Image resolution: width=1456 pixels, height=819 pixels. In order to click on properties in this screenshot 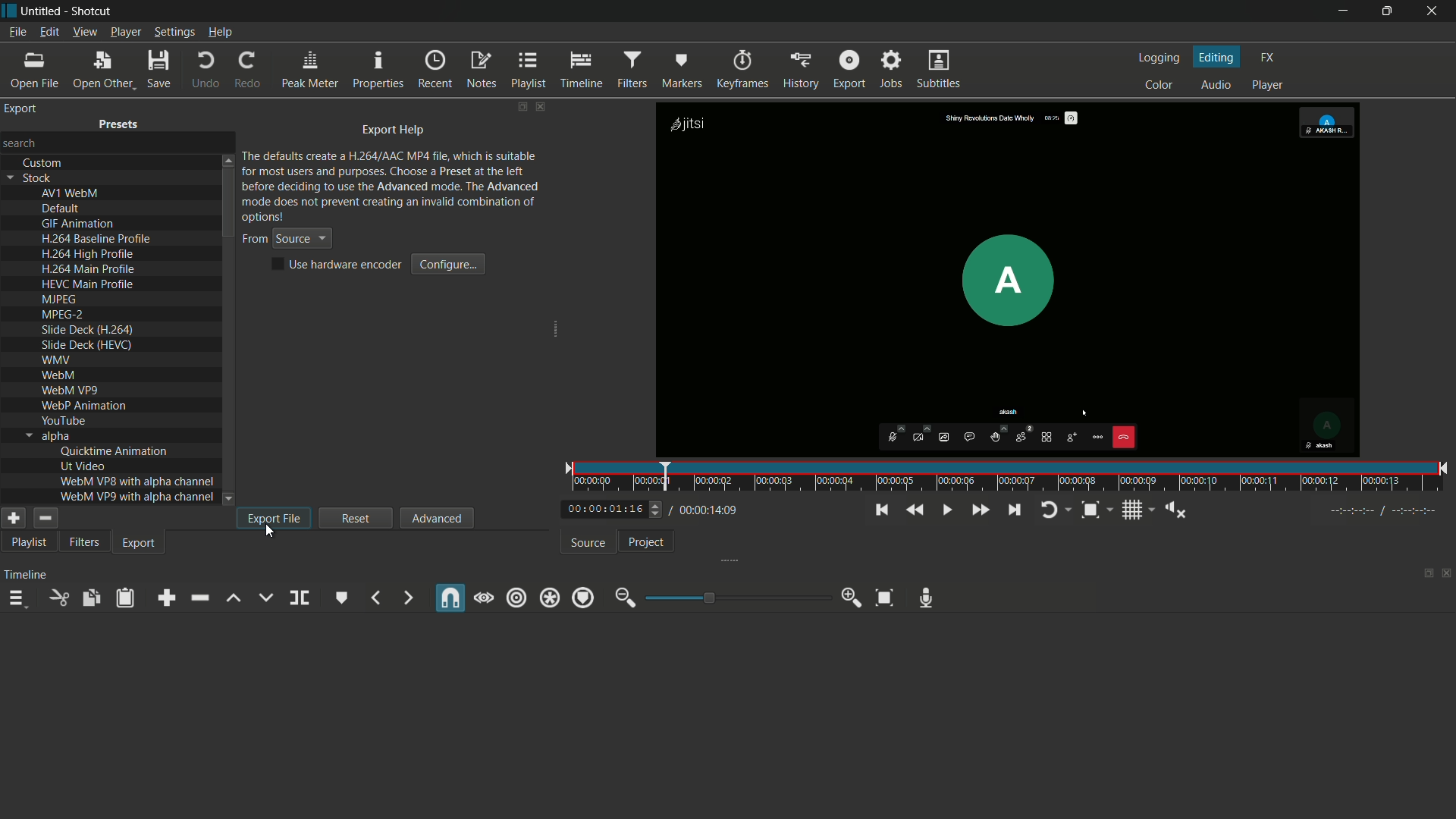, I will do `click(376, 71)`.